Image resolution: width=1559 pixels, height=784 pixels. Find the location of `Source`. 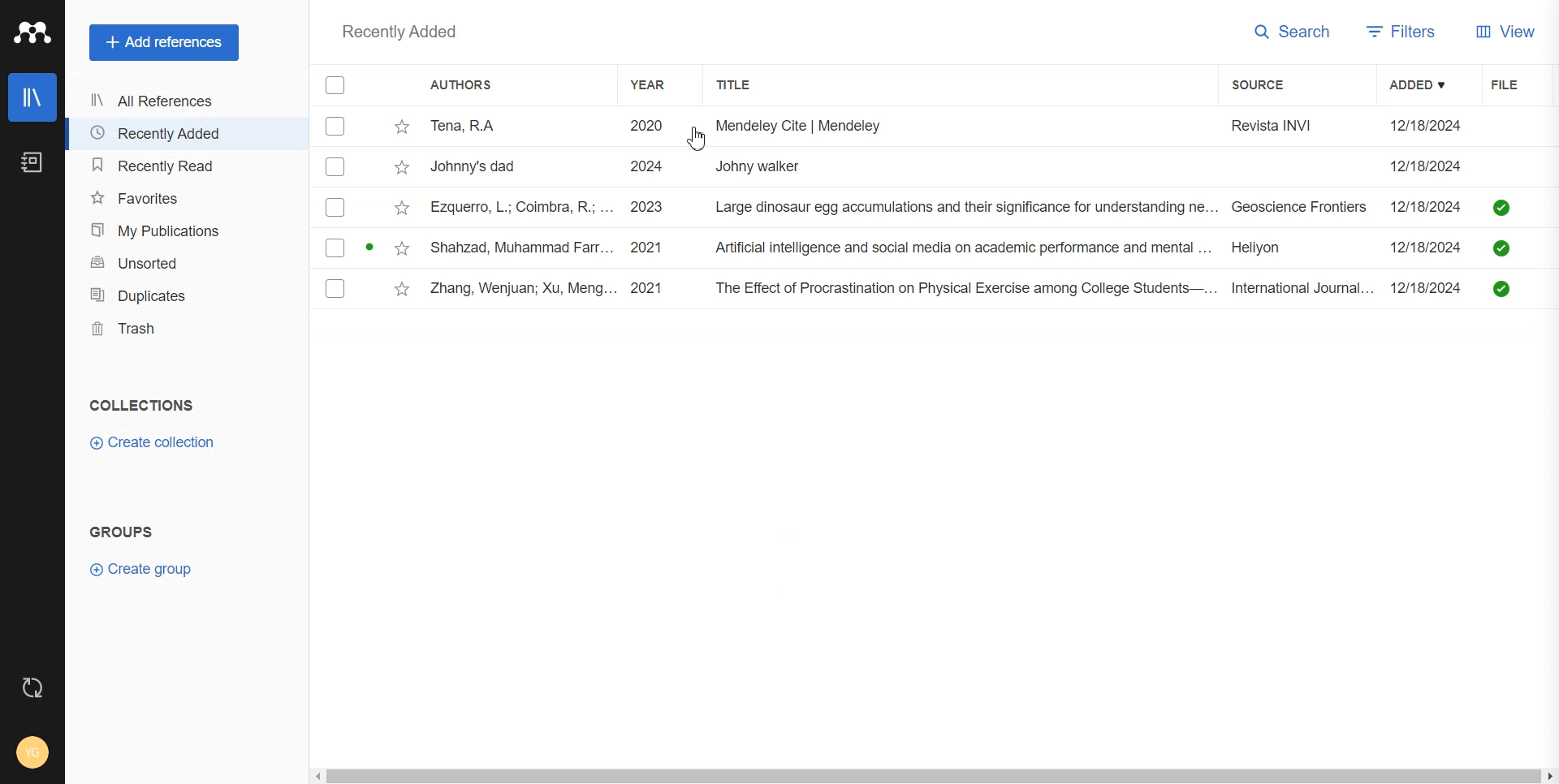

Source is located at coordinates (1268, 86).